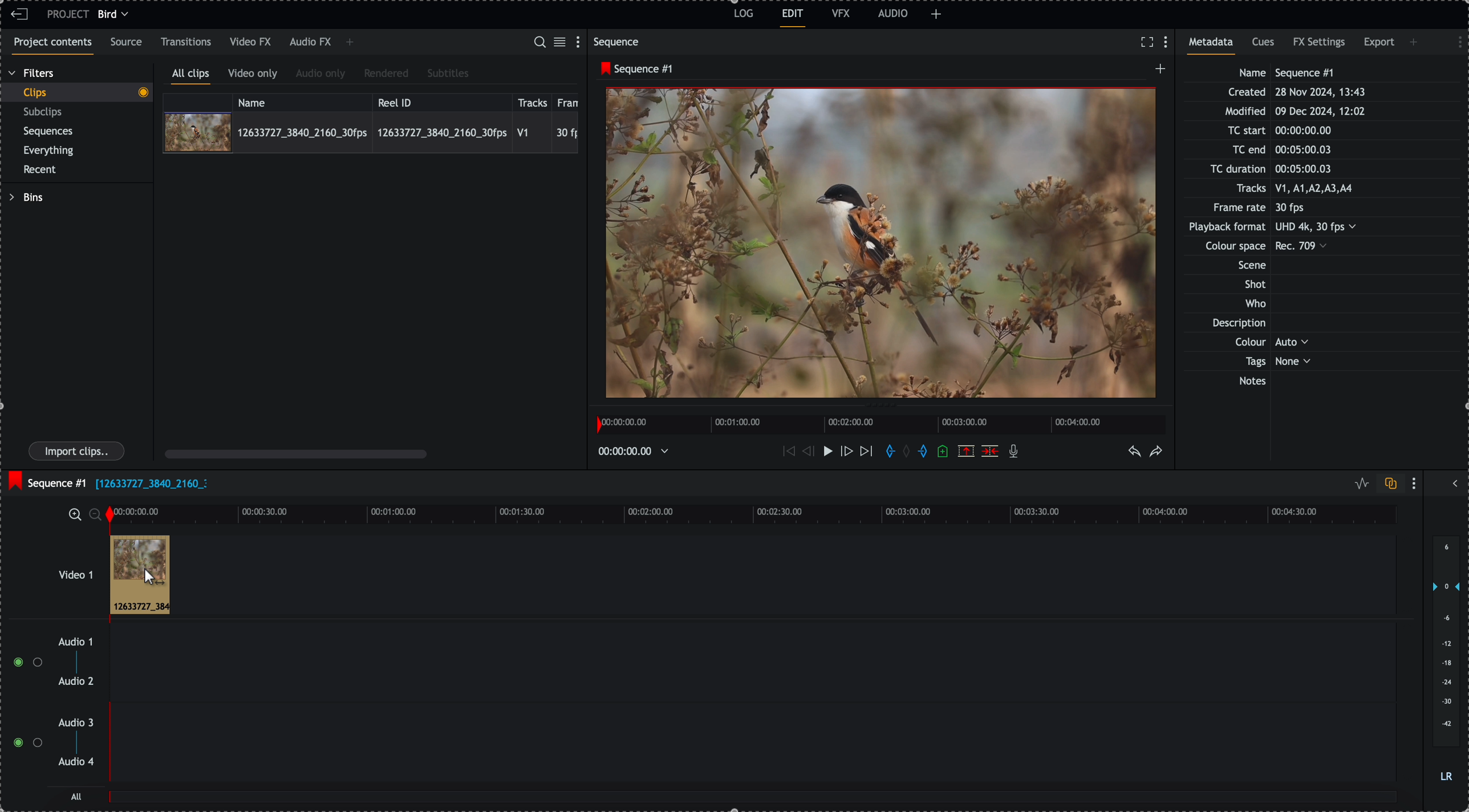 The image size is (1469, 812). What do you see at coordinates (1168, 43) in the screenshot?
I see `show settings menu` at bounding box center [1168, 43].